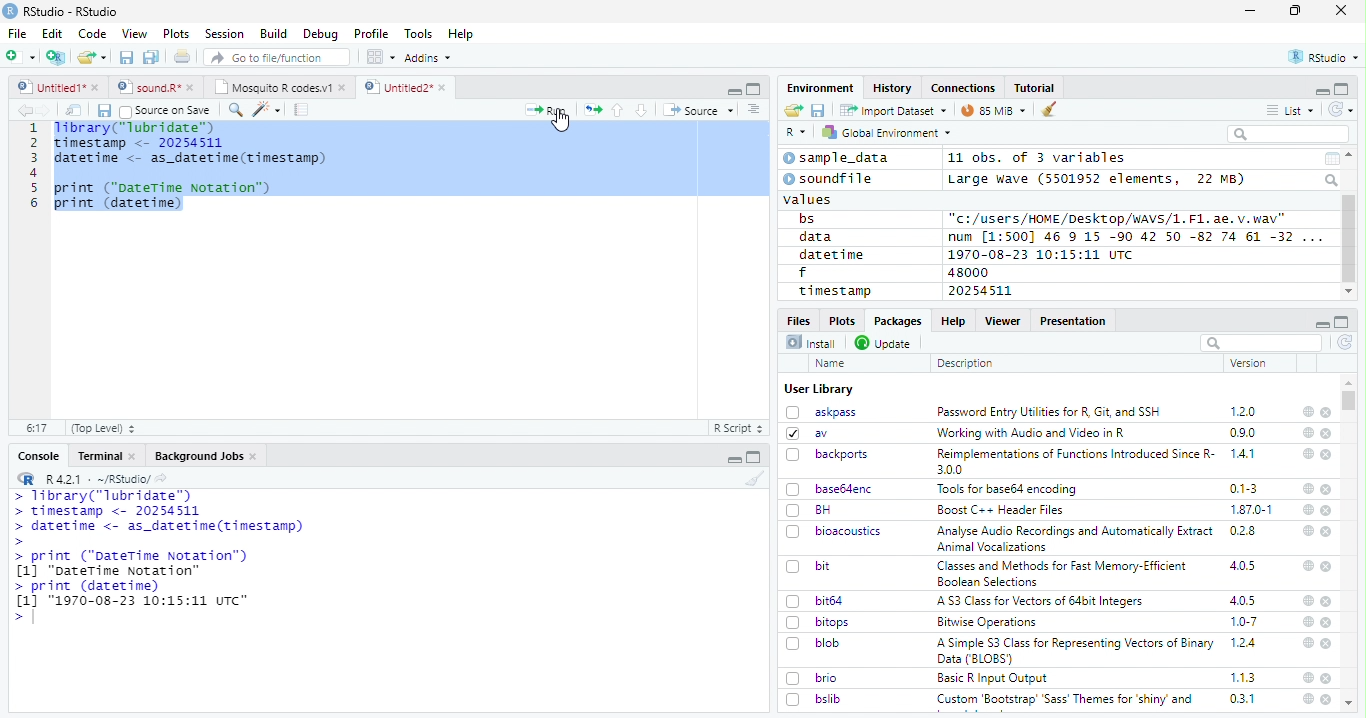 This screenshot has width=1366, height=718. I want to click on 1.2.4, so click(1245, 642).